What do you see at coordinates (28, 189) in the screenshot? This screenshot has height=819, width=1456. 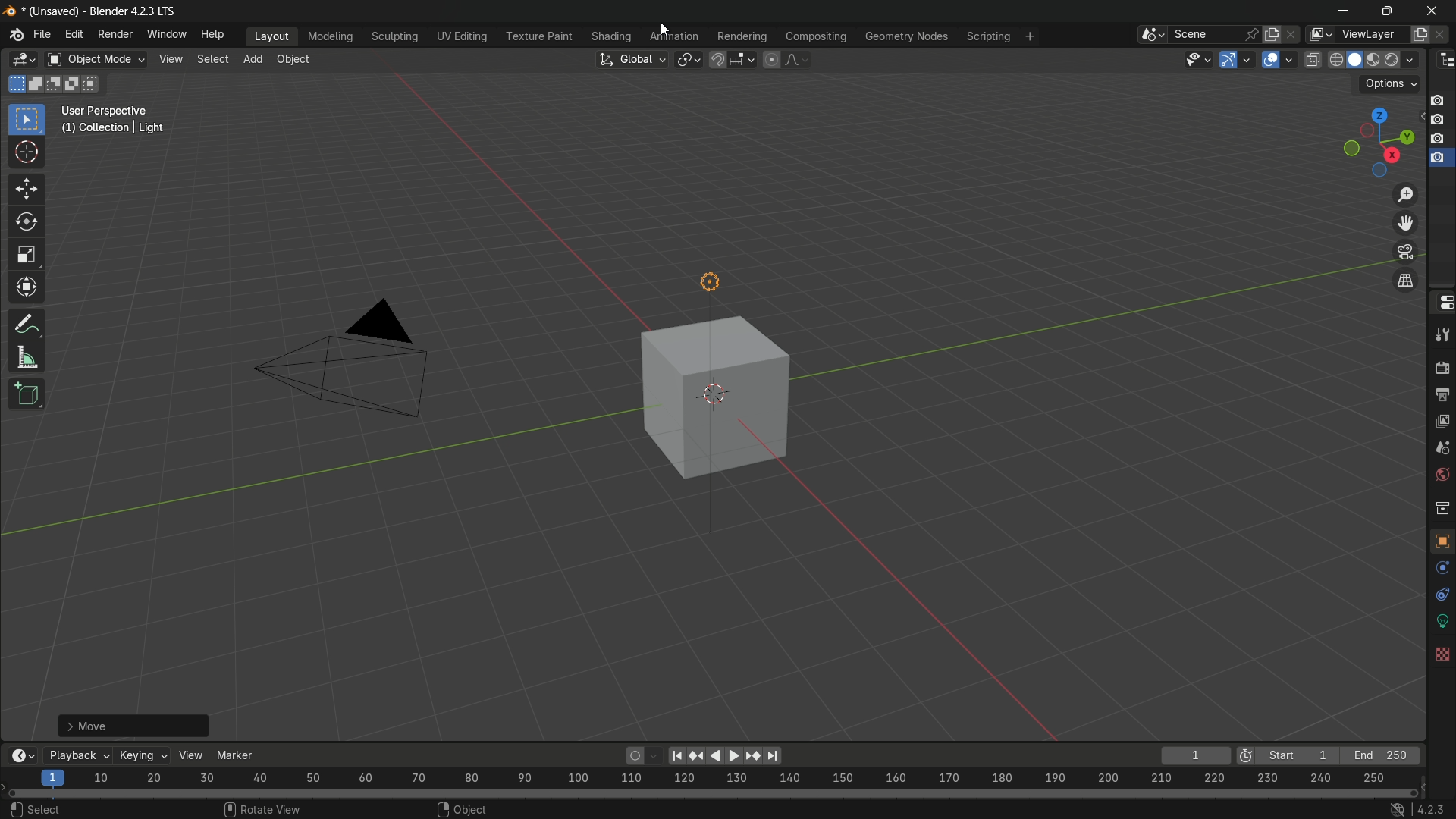 I see `move` at bounding box center [28, 189].